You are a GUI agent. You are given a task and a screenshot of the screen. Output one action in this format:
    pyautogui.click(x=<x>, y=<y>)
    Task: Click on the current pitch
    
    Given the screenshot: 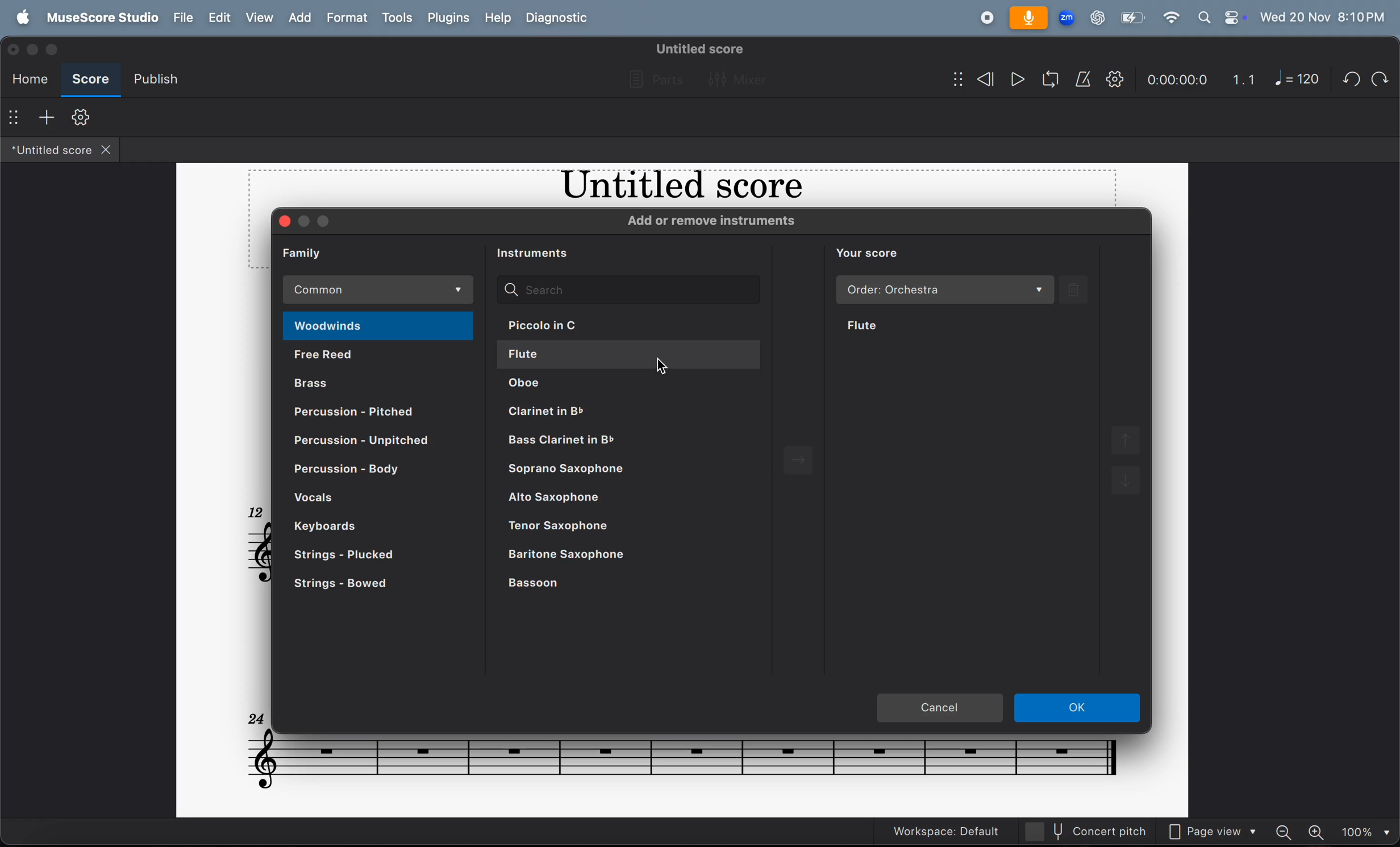 What is the action you would take?
    pyautogui.click(x=1087, y=829)
    